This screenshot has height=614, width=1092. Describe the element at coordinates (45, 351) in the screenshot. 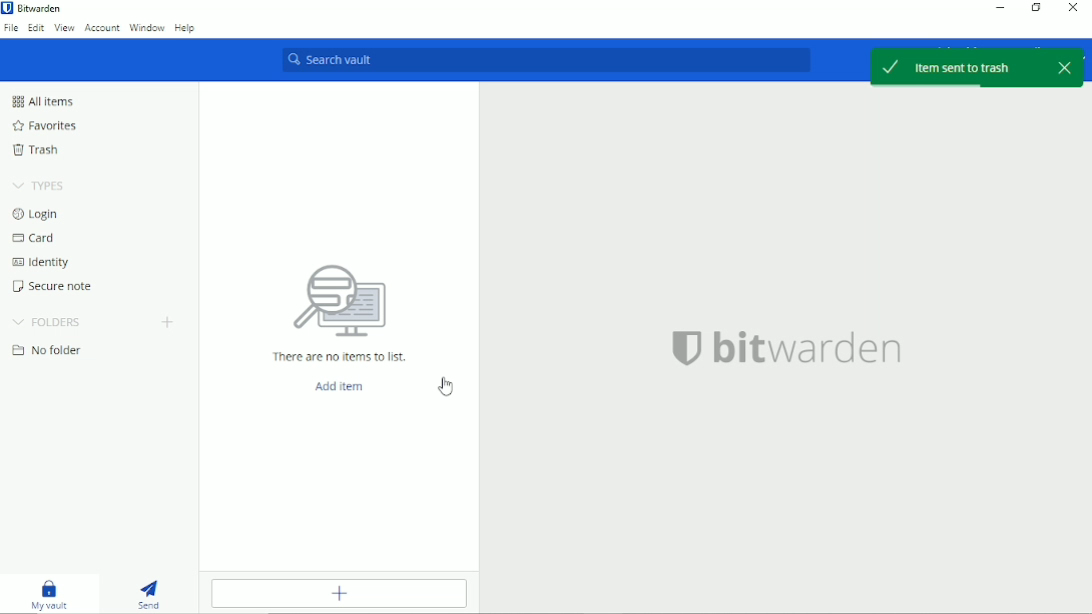

I see `No folder` at that location.